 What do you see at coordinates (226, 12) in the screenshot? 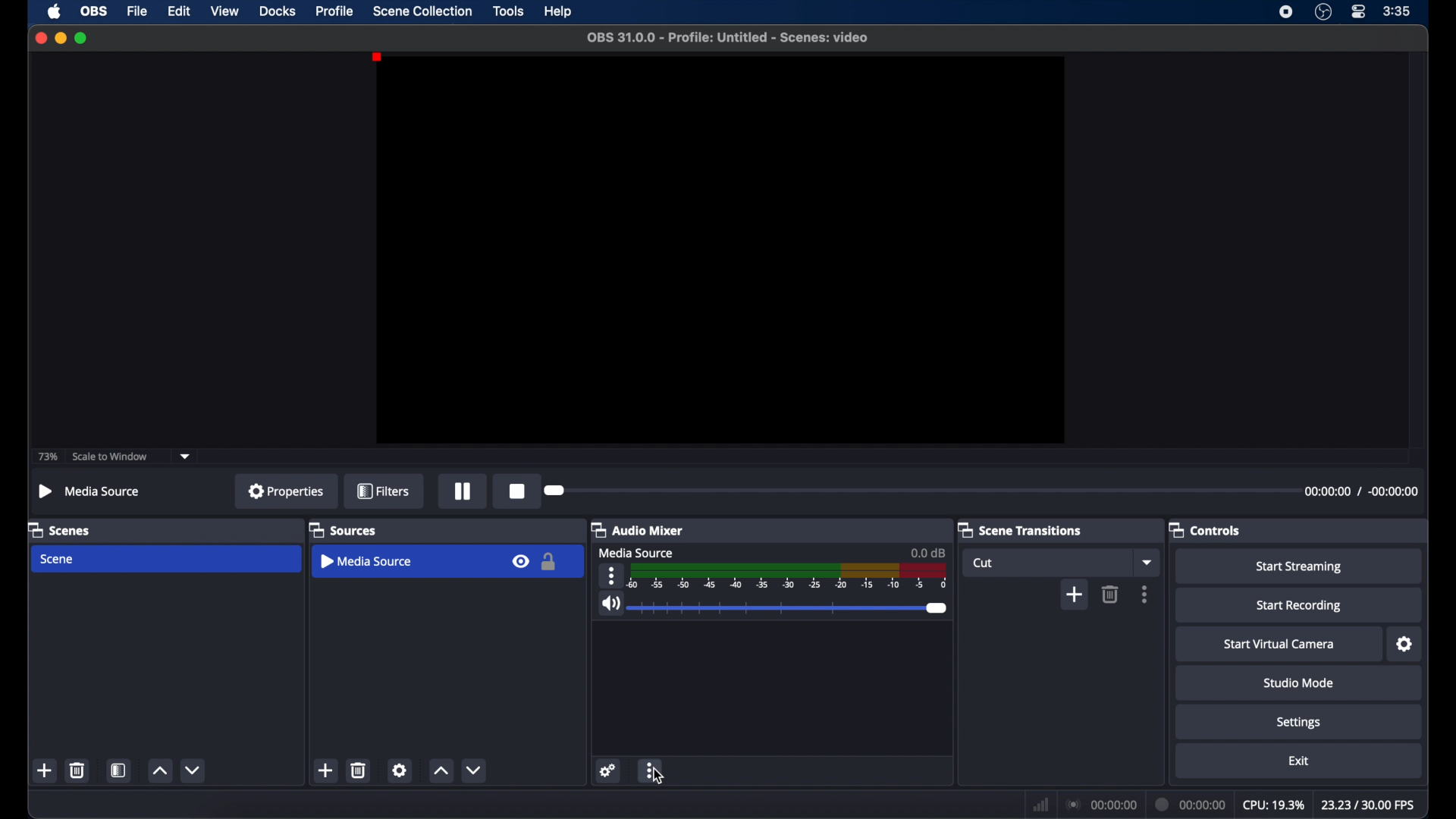
I see `view` at bounding box center [226, 12].